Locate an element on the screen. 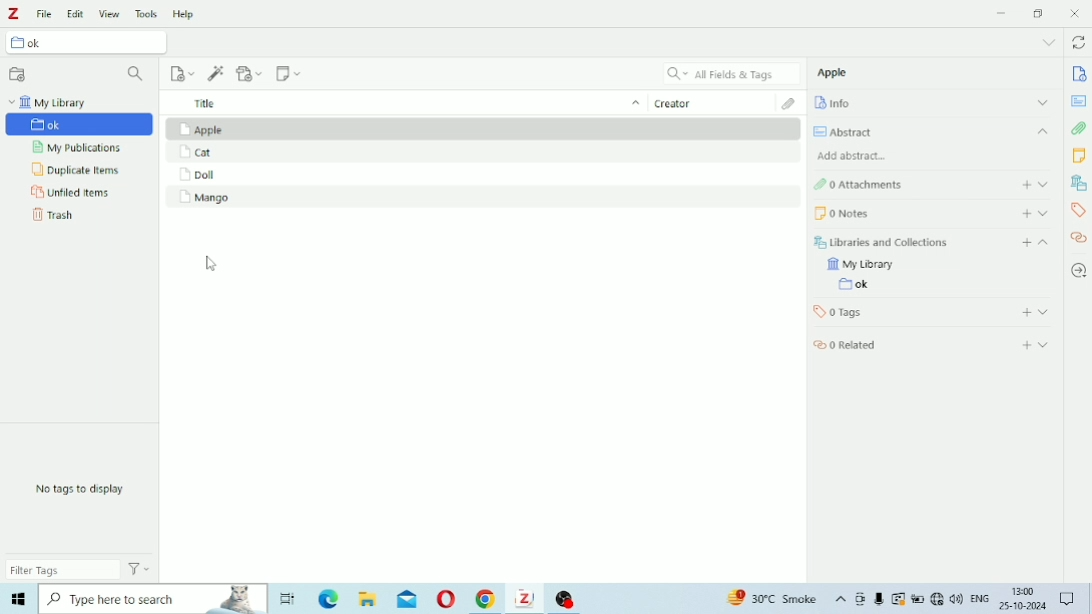  Duplicate Items is located at coordinates (75, 168).